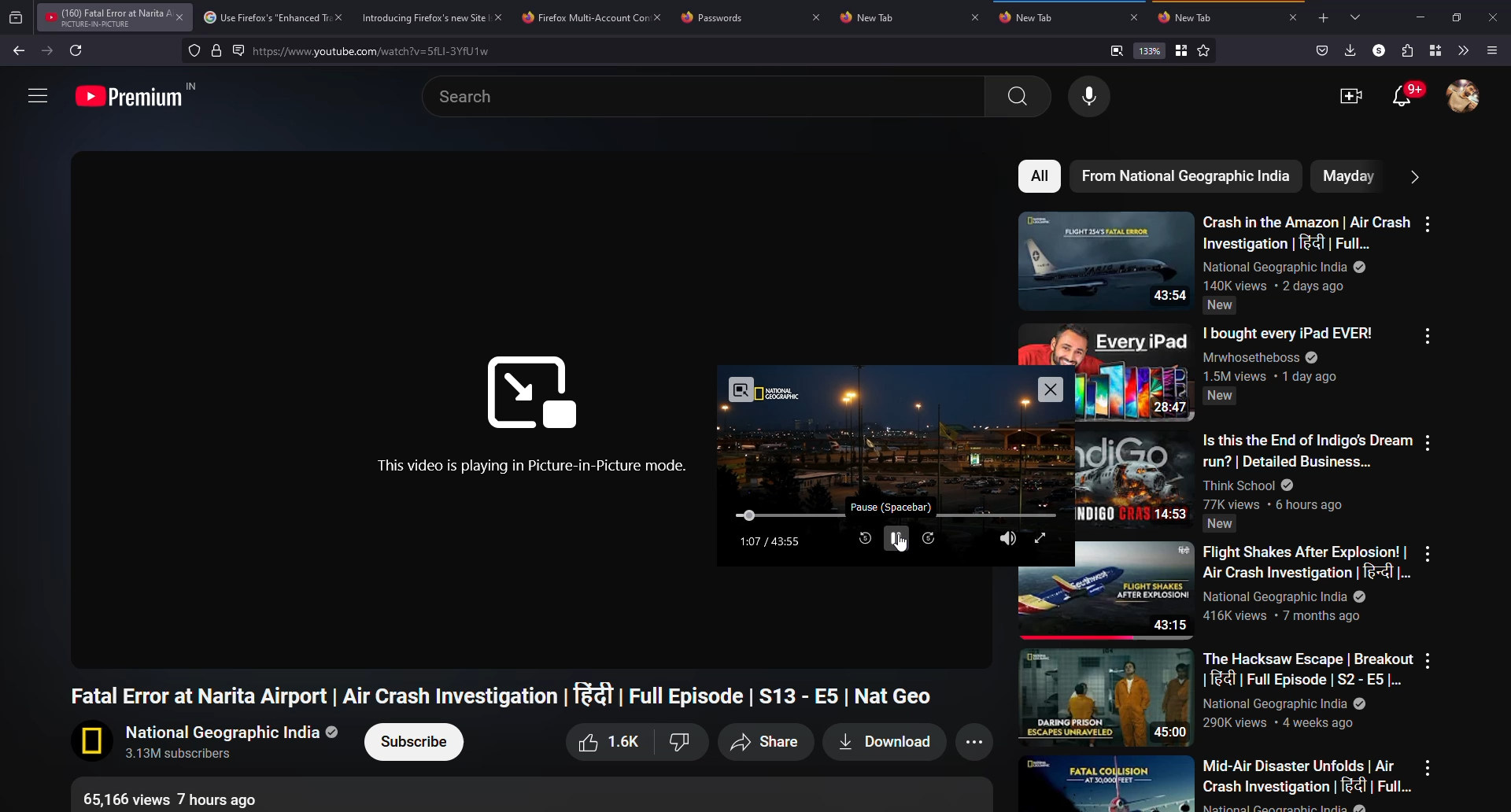 The image size is (1511, 812). I want to click on view, so click(1116, 50).